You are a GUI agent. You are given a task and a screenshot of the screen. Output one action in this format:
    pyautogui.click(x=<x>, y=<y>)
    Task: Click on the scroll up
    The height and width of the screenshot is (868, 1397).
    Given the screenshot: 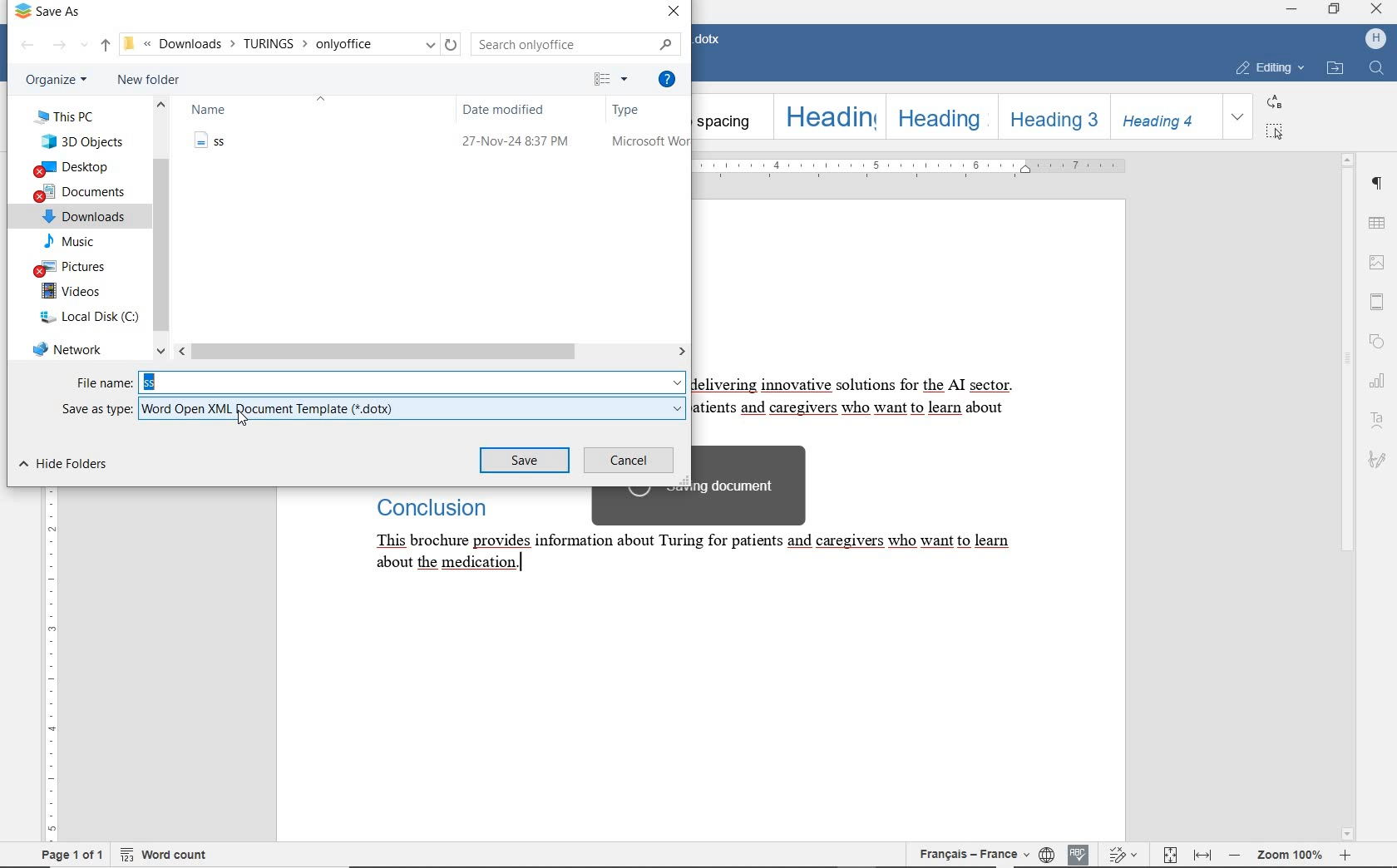 What is the action you would take?
    pyautogui.click(x=162, y=107)
    